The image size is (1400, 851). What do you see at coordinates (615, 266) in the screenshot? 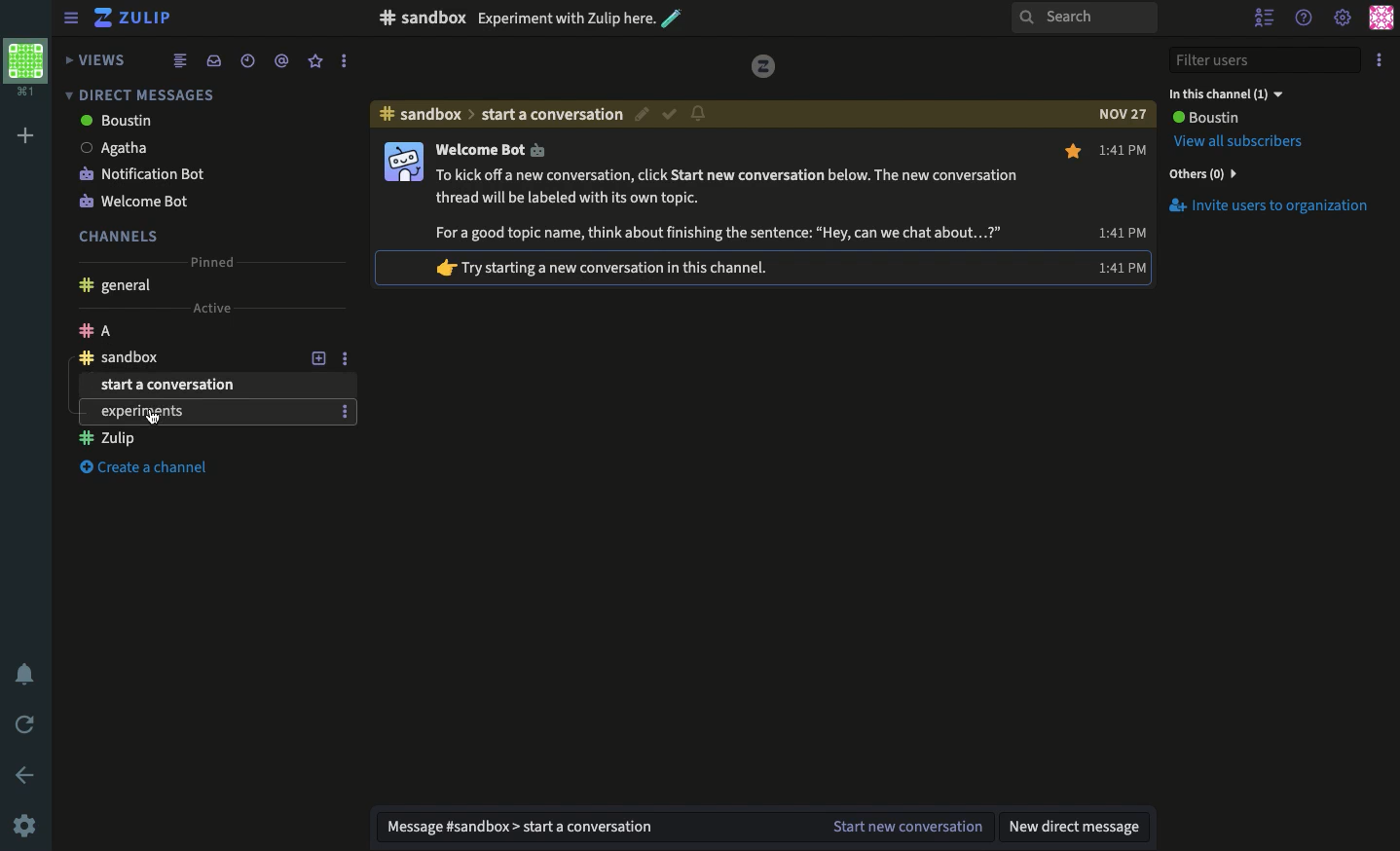
I see `Try starting a new conversation in this channel` at bounding box center [615, 266].